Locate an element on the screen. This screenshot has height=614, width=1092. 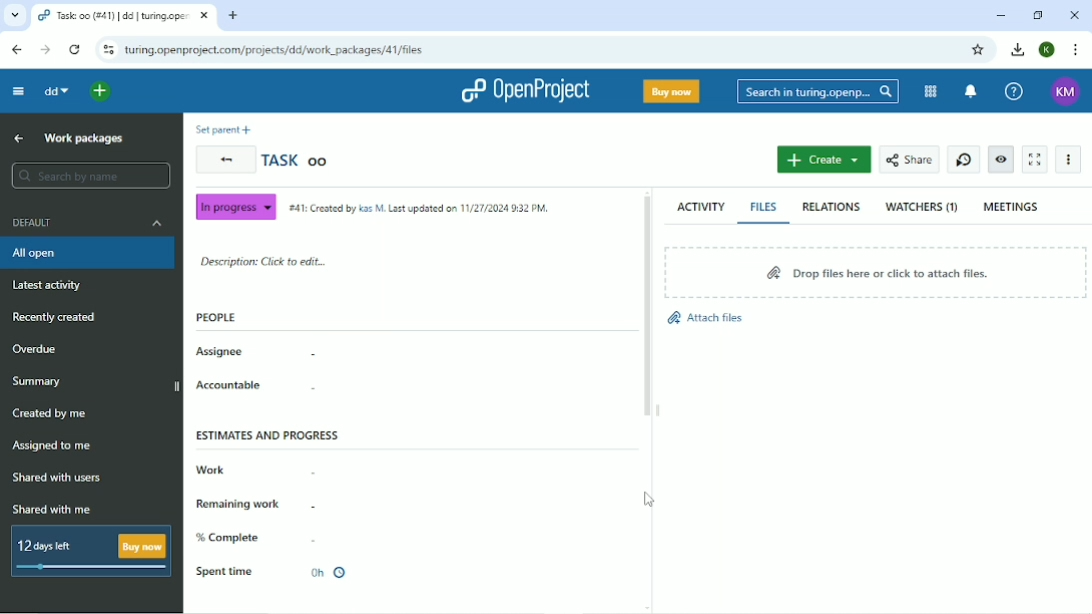
Attach files is located at coordinates (706, 317).